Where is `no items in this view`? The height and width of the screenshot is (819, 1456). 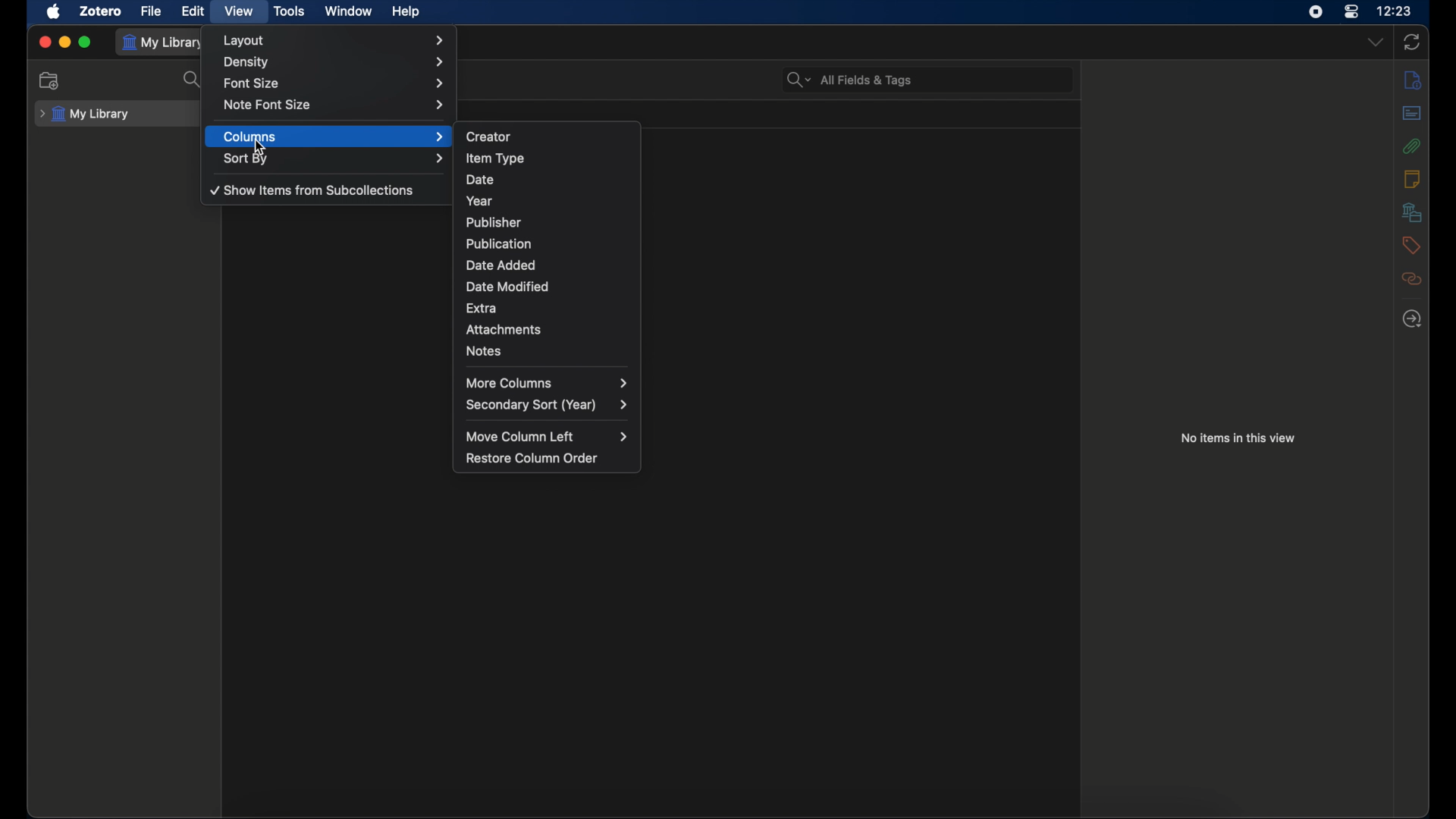
no items in this view is located at coordinates (1241, 438).